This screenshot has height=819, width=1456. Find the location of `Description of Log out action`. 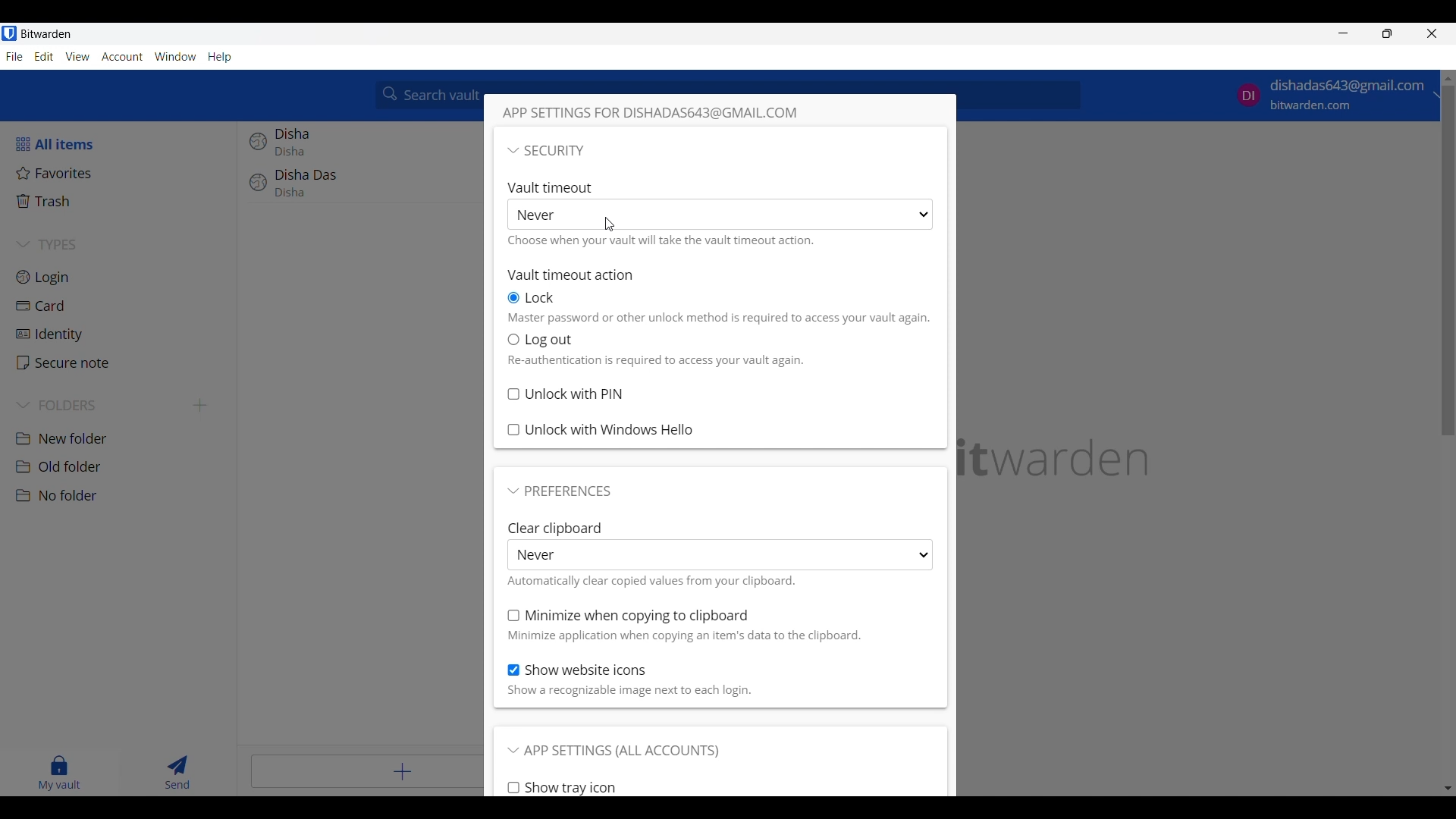

Description of Log out action is located at coordinates (660, 361).